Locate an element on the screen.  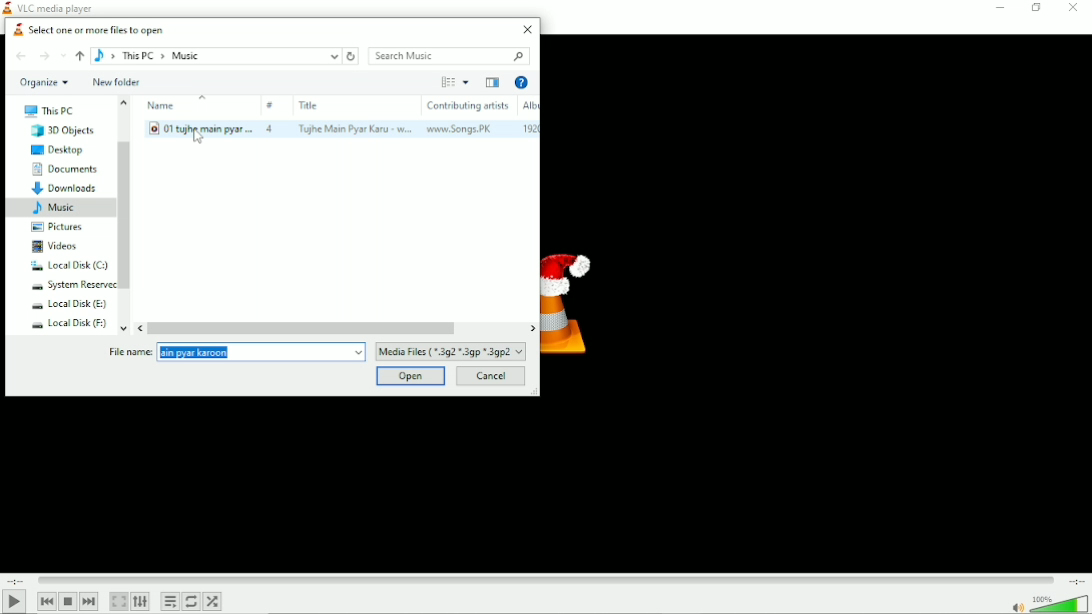
Contributing artists is located at coordinates (466, 116).